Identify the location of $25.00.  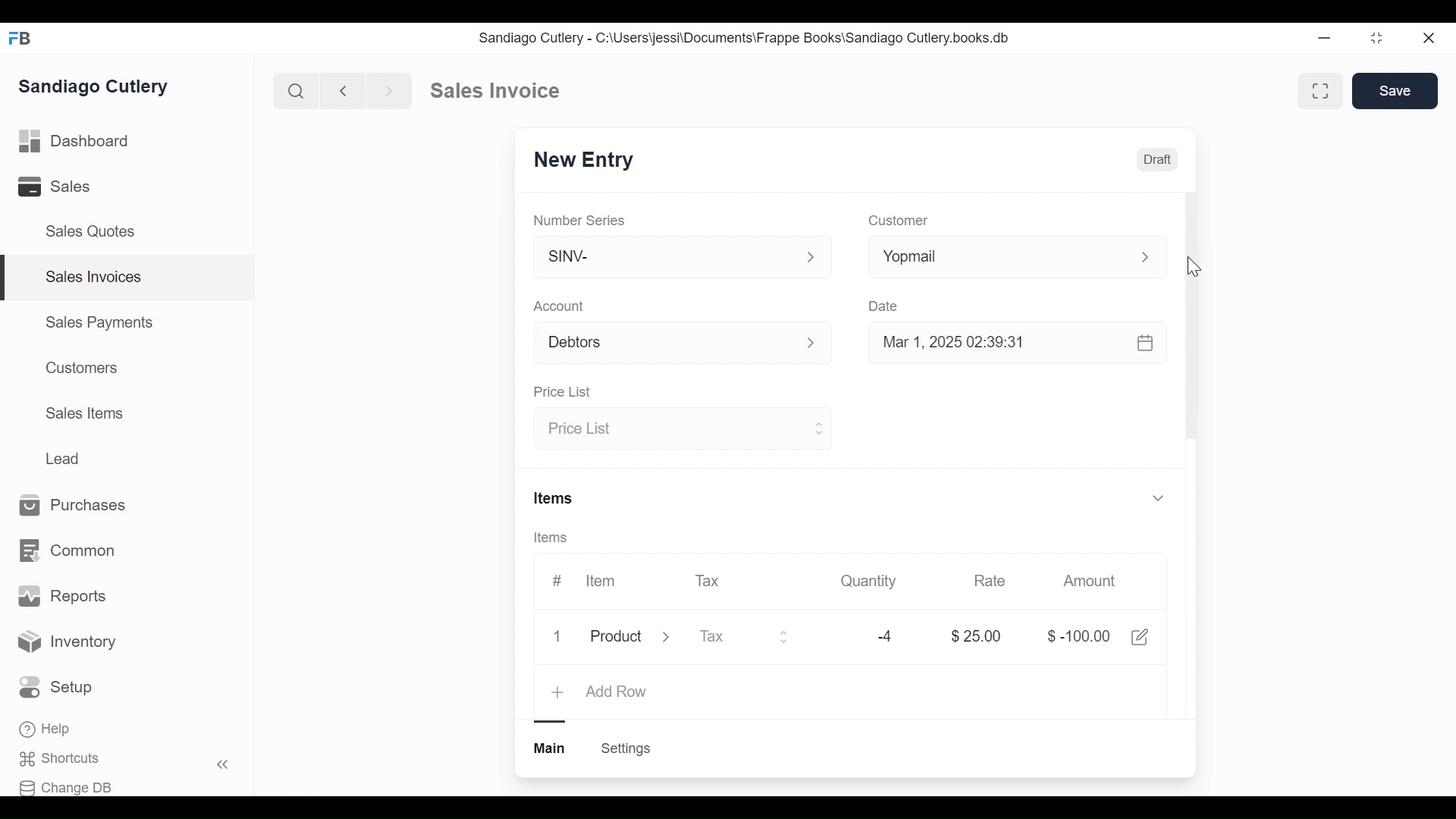
(977, 636).